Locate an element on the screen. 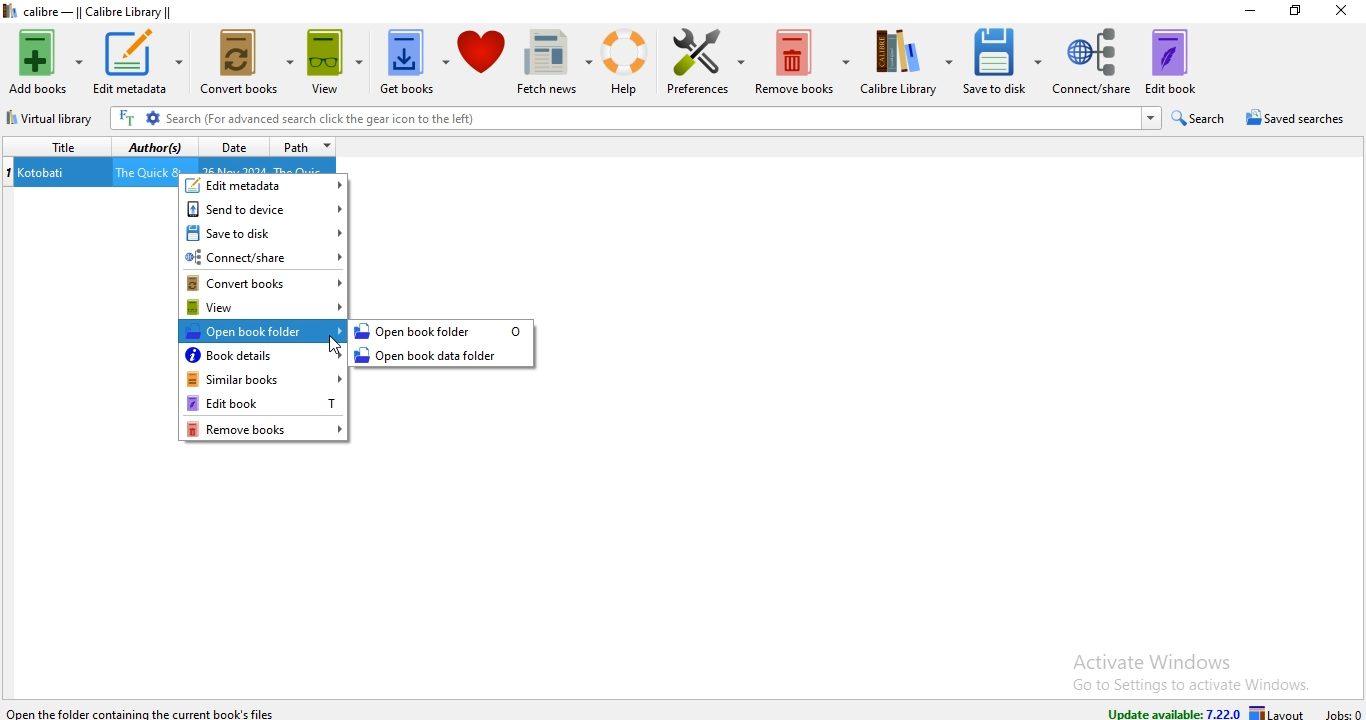   saved searches is located at coordinates (1293, 118).